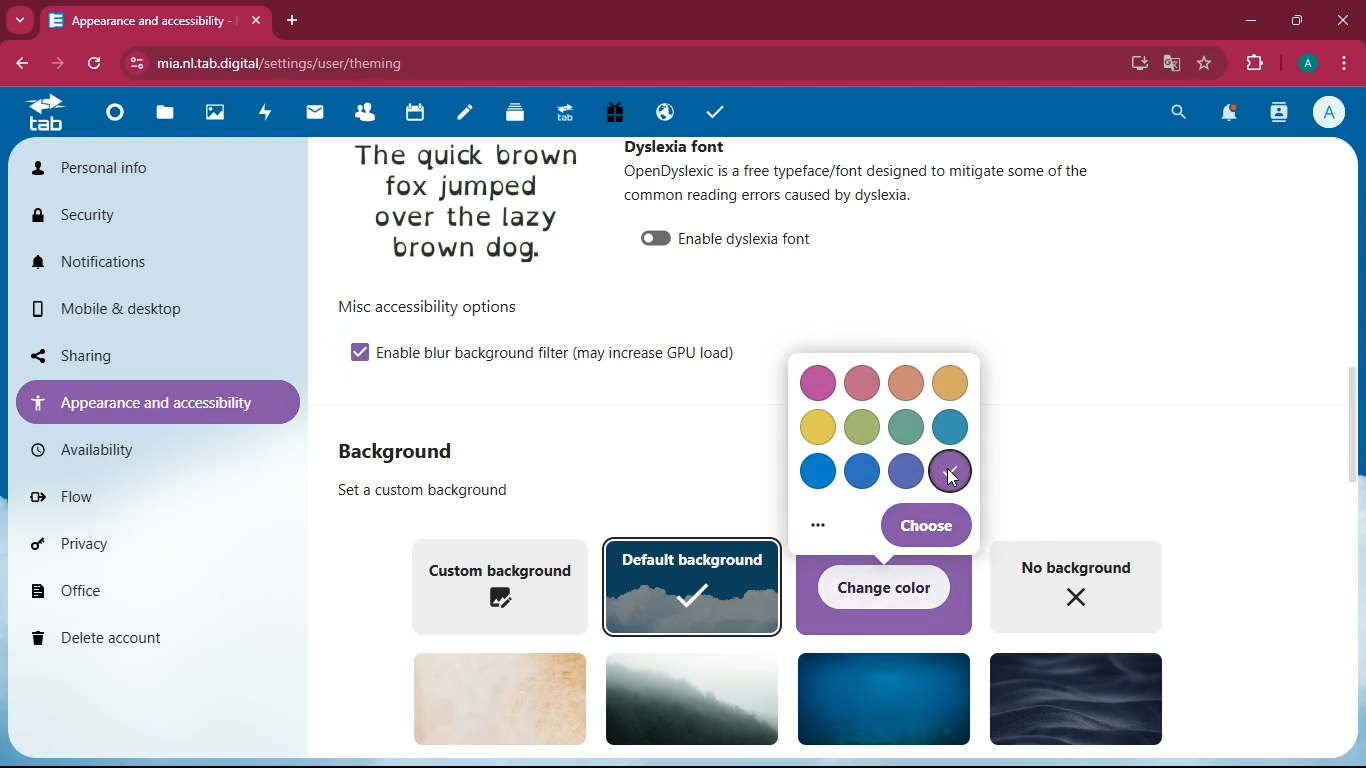 The width and height of the screenshot is (1366, 768). I want to click on OpenDyslexic is a free typeface/font designed to mitigate some of the  common reading errors caused by dyslexia., so click(881, 191).